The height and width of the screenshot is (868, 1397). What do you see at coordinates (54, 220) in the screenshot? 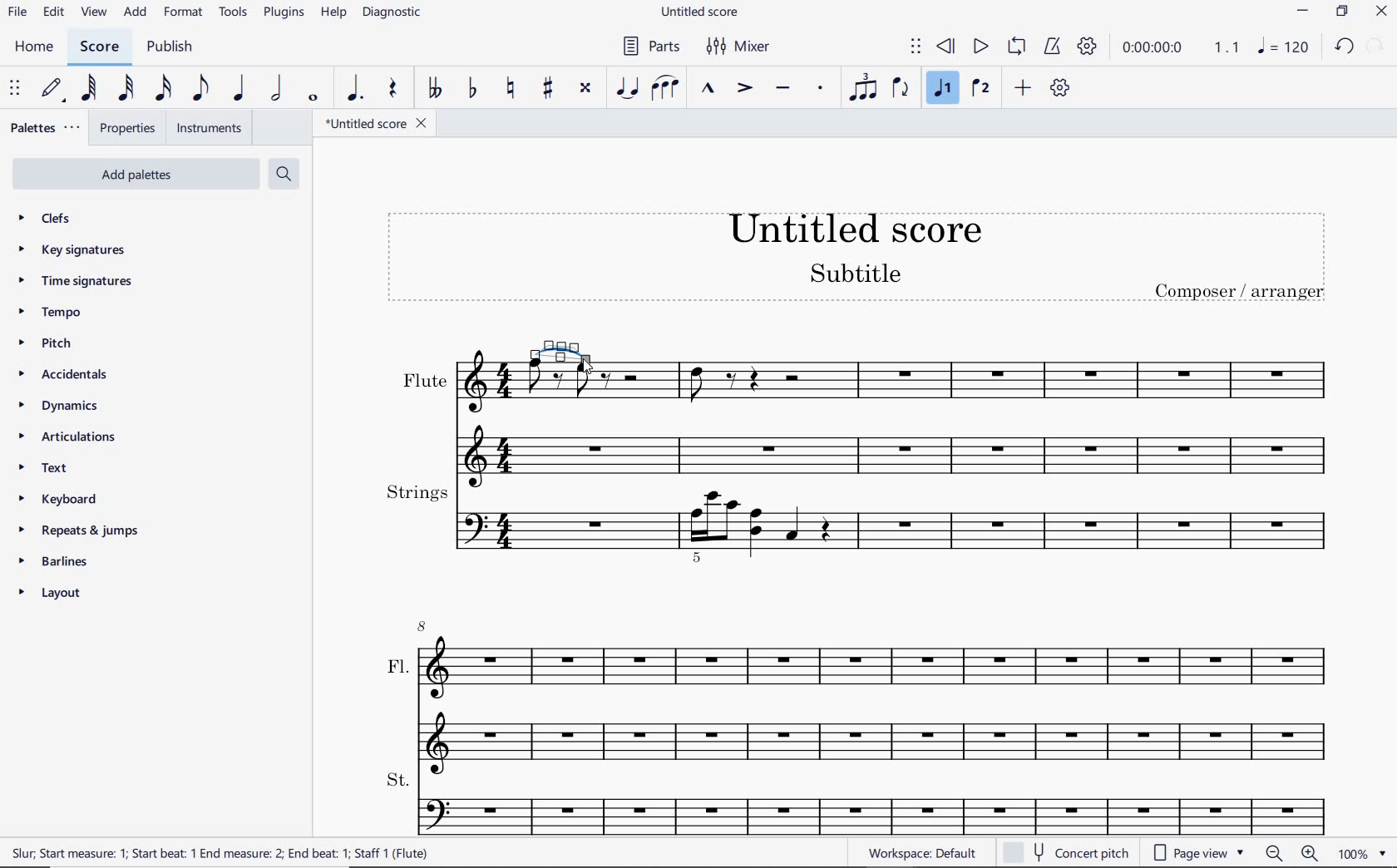
I see `clefs` at bounding box center [54, 220].